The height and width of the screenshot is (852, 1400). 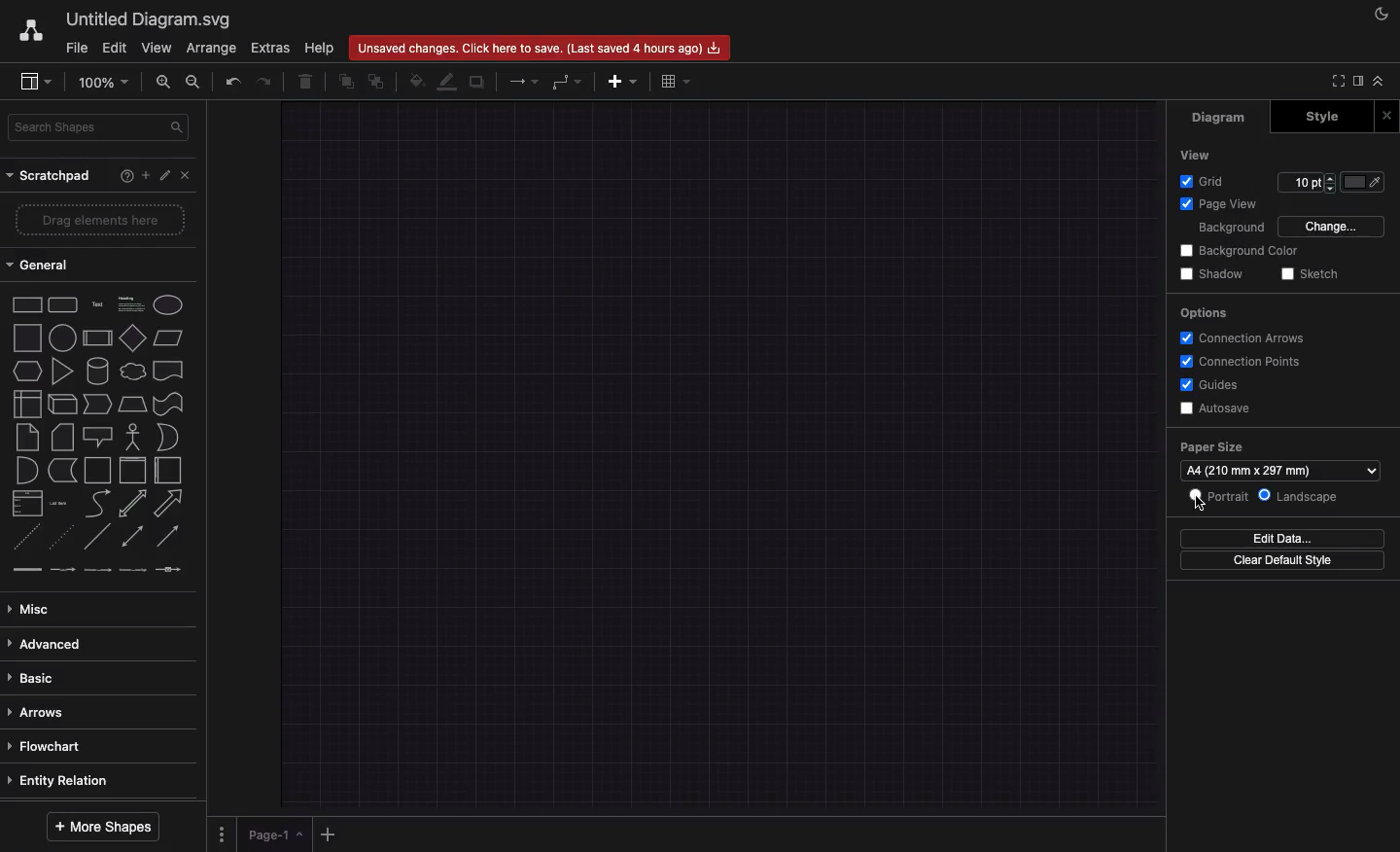 I want to click on Style , so click(x=1329, y=117).